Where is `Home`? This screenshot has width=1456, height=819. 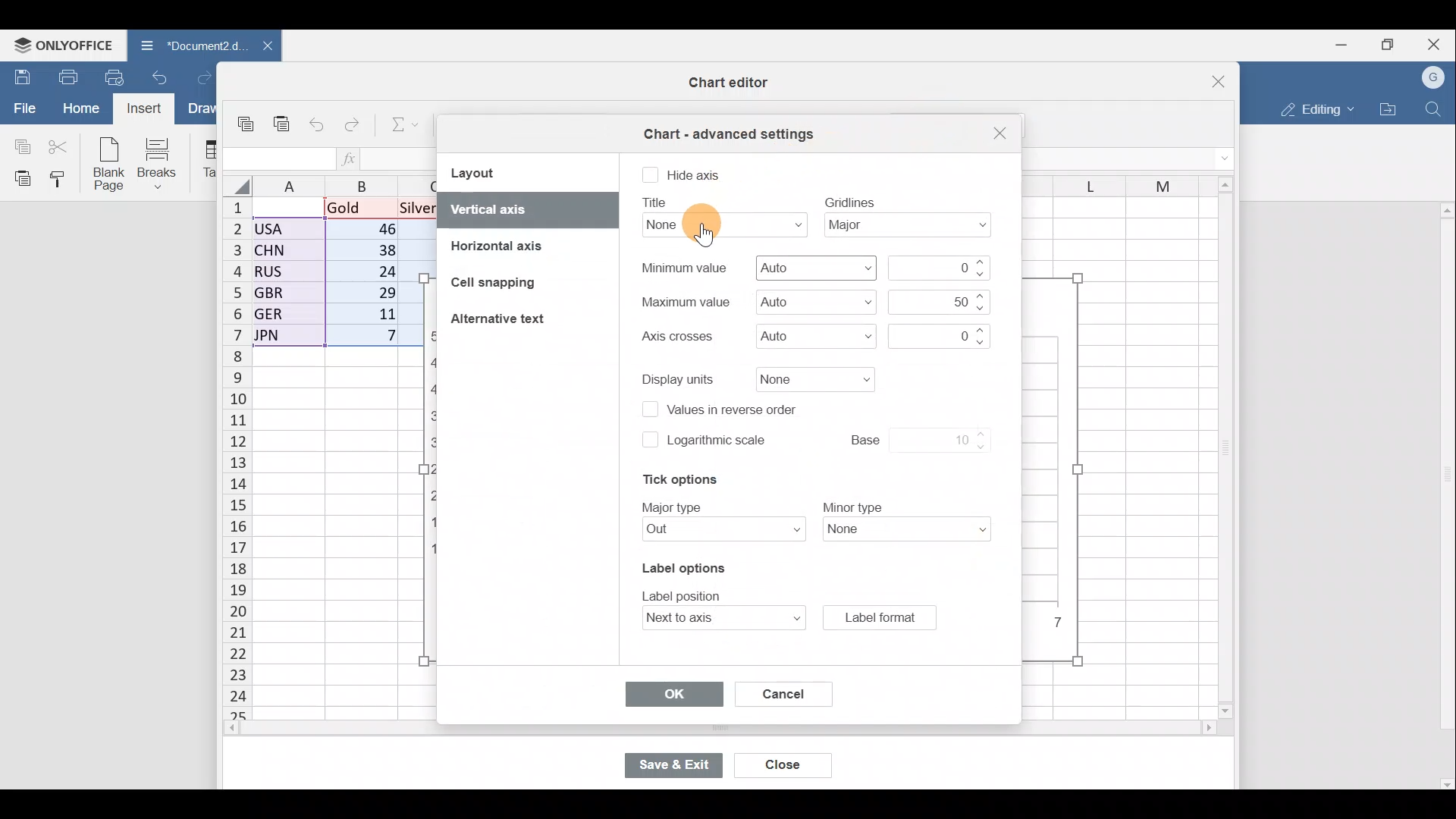
Home is located at coordinates (80, 110).